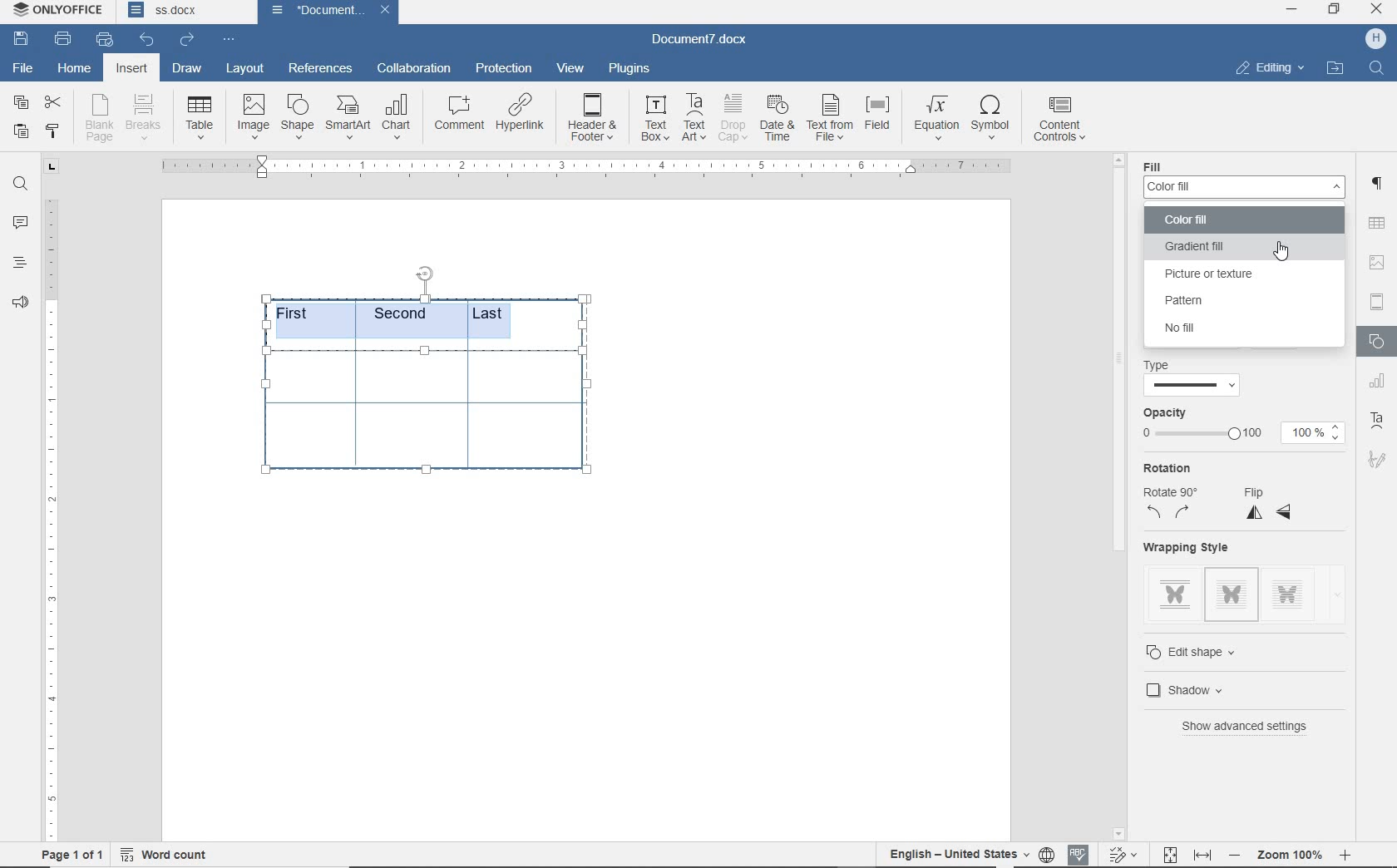  What do you see at coordinates (522, 116) in the screenshot?
I see `hyperlink` at bounding box center [522, 116].